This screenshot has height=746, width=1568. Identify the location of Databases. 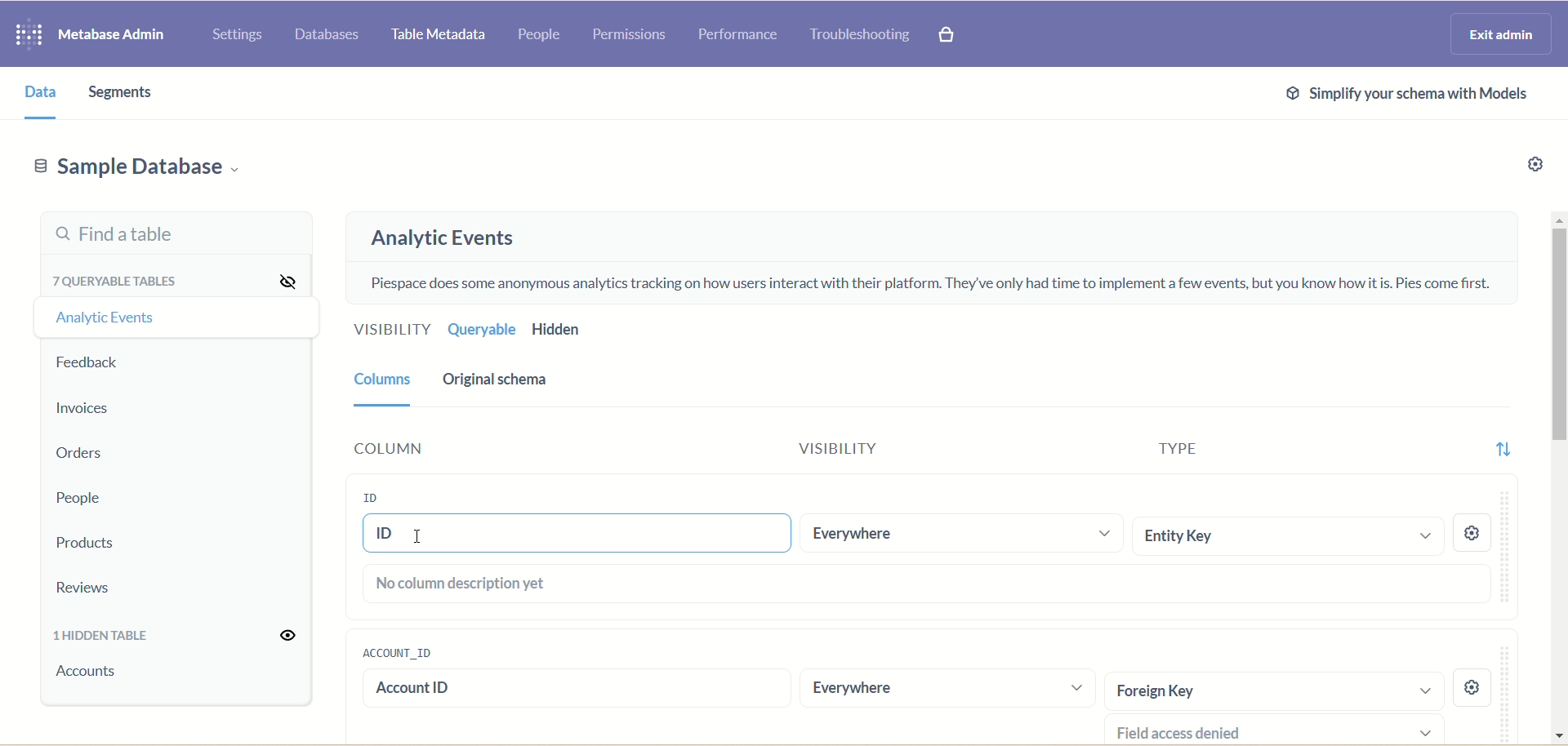
(327, 38).